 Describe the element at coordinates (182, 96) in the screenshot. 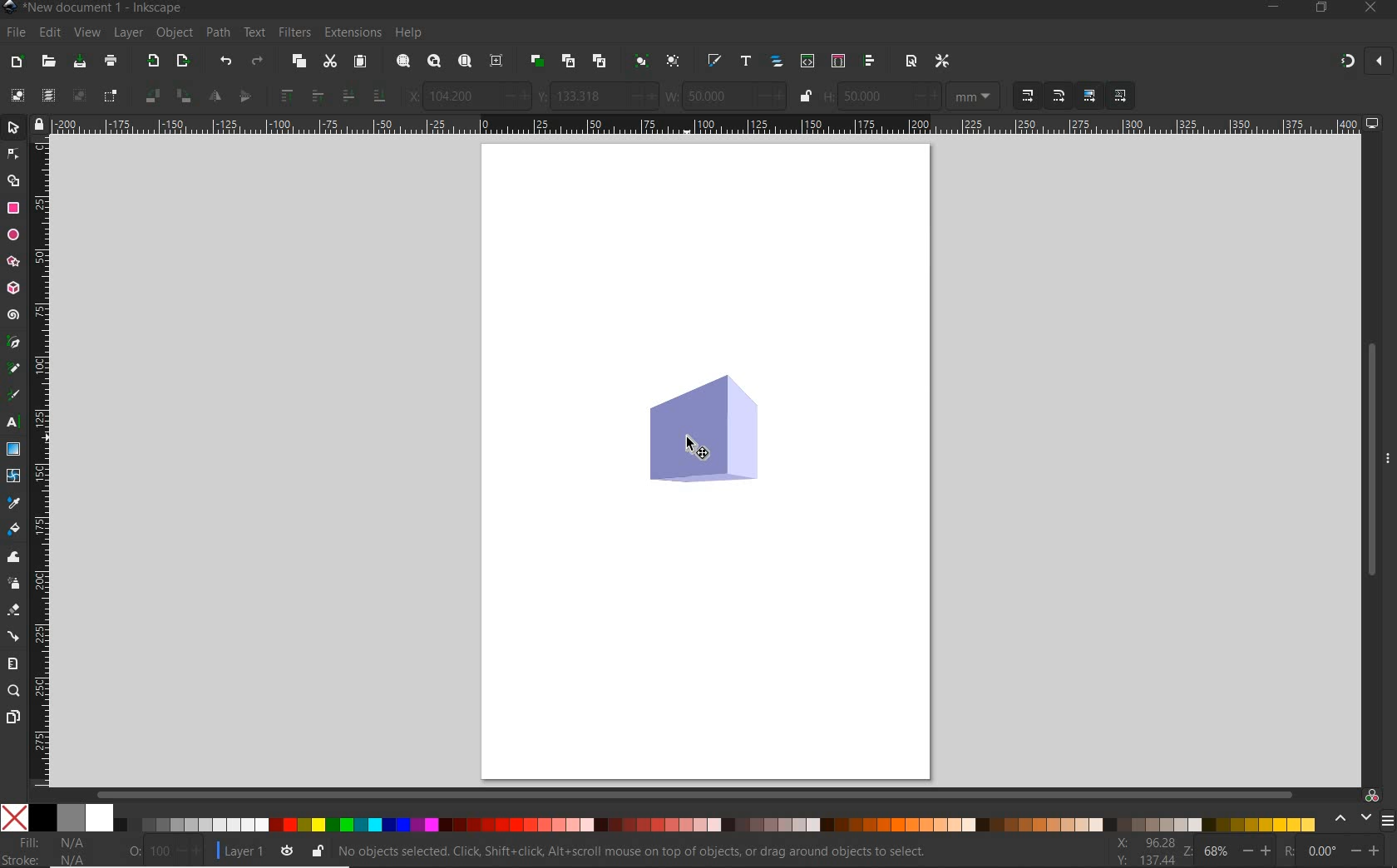

I see `object rotate` at that location.